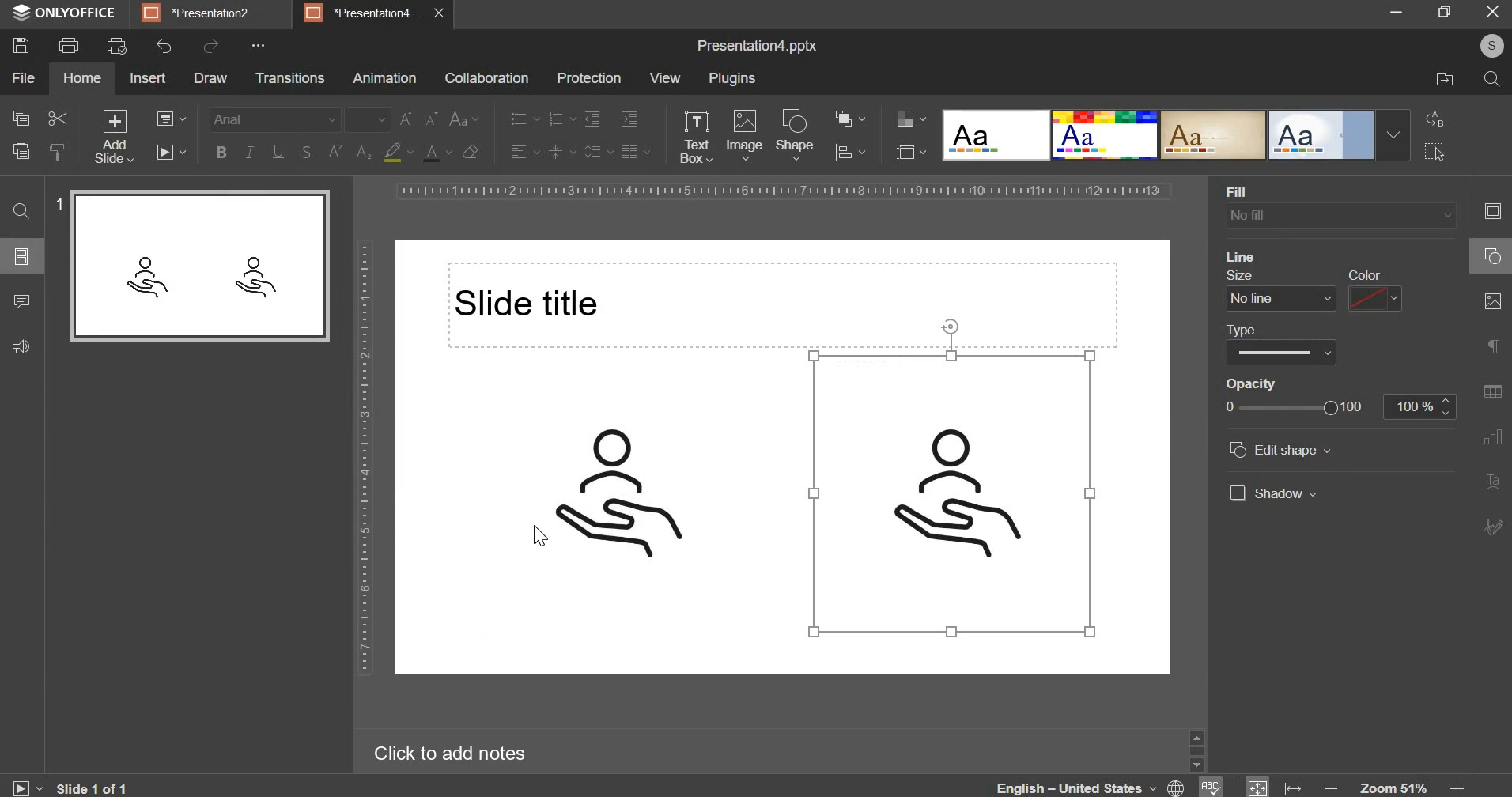  I want to click on increase zoom, so click(1457, 788).